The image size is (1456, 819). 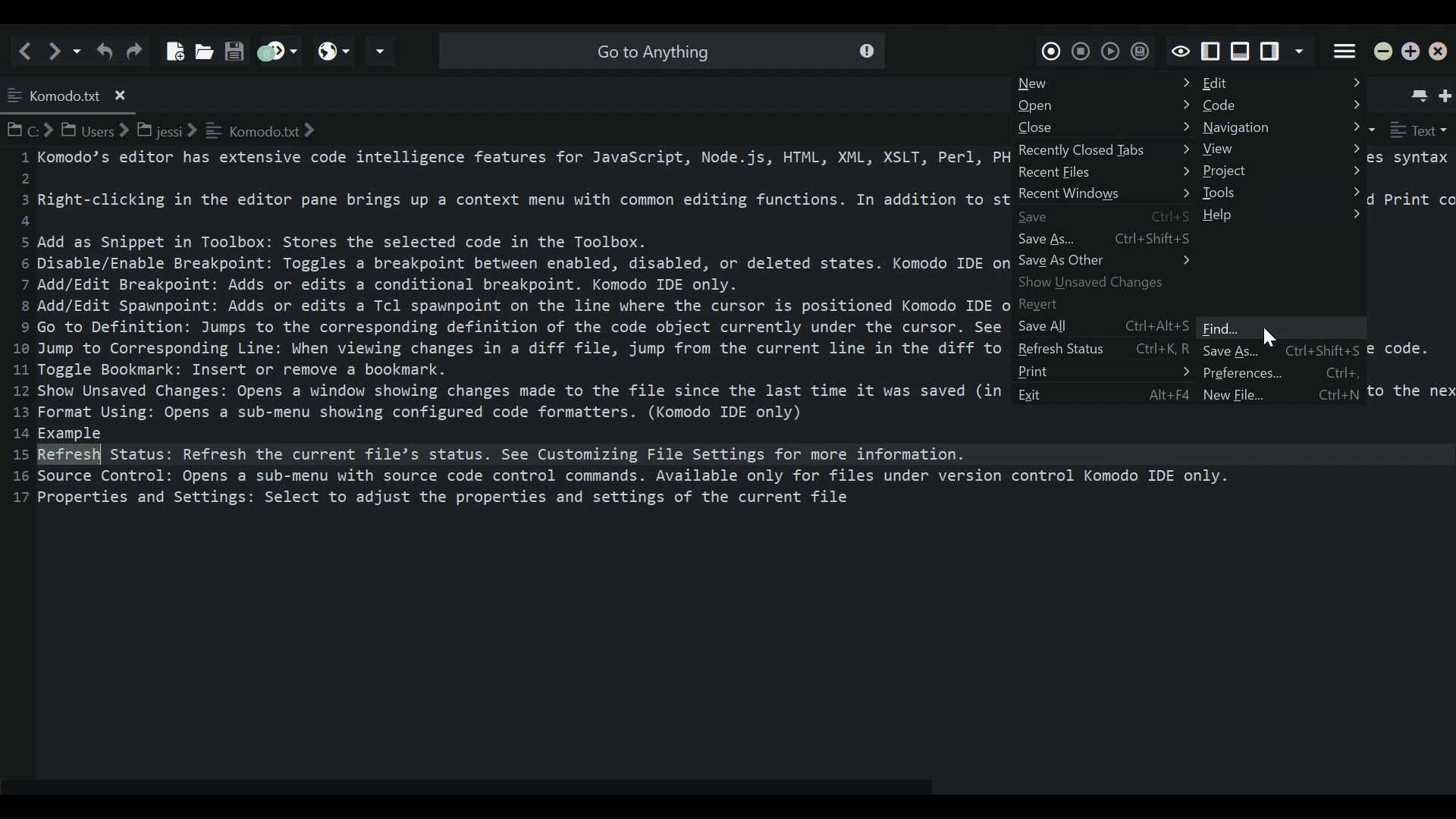 What do you see at coordinates (1104, 105) in the screenshot?
I see `Open` at bounding box center [1104, 105].